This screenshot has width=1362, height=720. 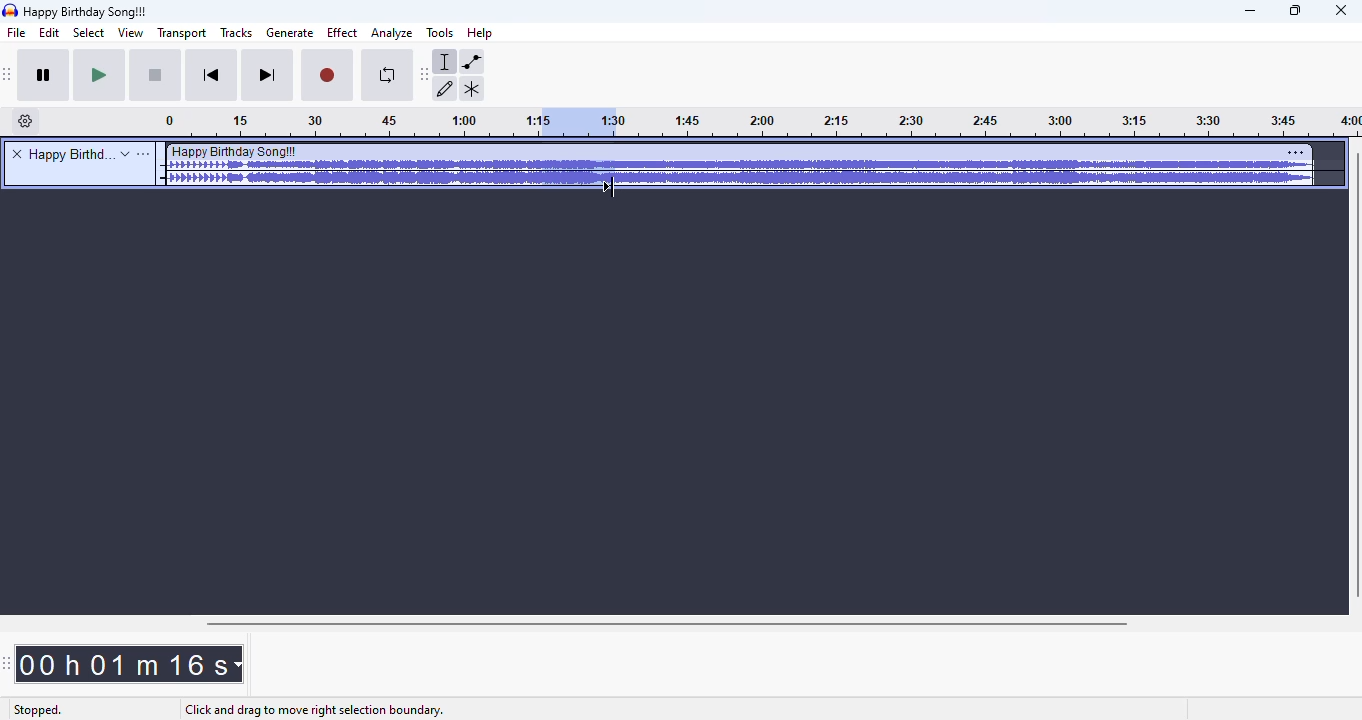 What do you see at coordinates (1296, 11) in the screenshot?
I see `maximize` at bounding box center [1296, 11].